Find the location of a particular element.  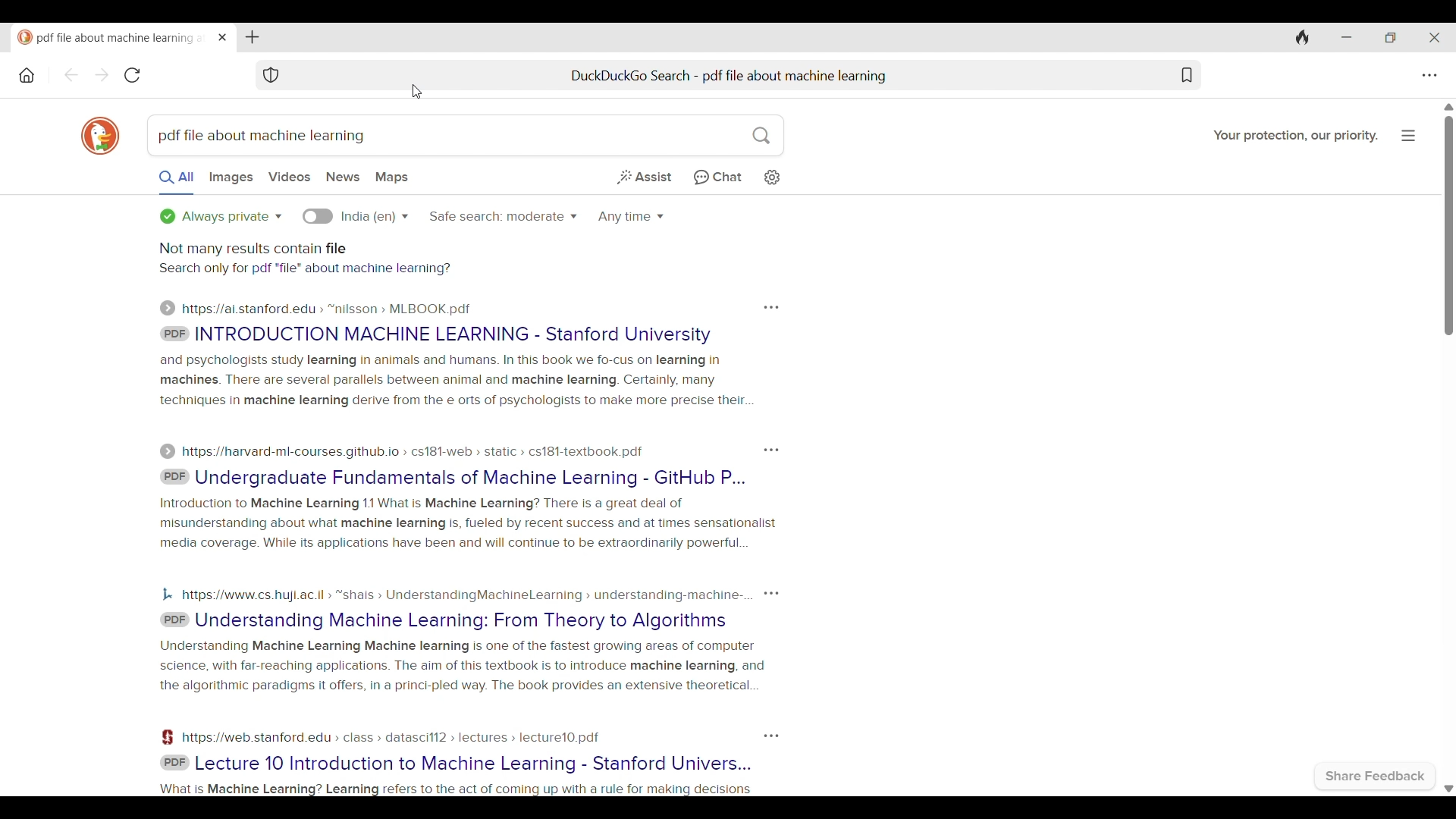

Close is located at coordinates (223, 37).